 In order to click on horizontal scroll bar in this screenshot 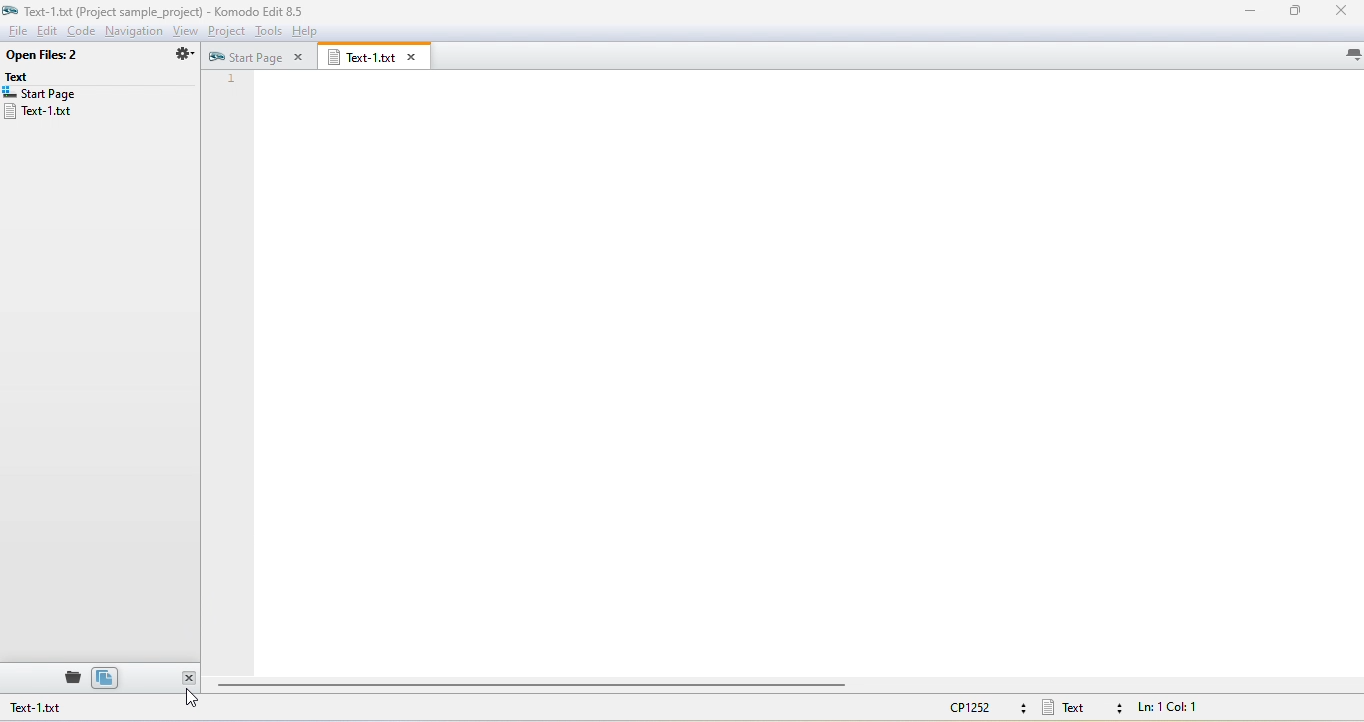, I will do `click(535, 684)`.